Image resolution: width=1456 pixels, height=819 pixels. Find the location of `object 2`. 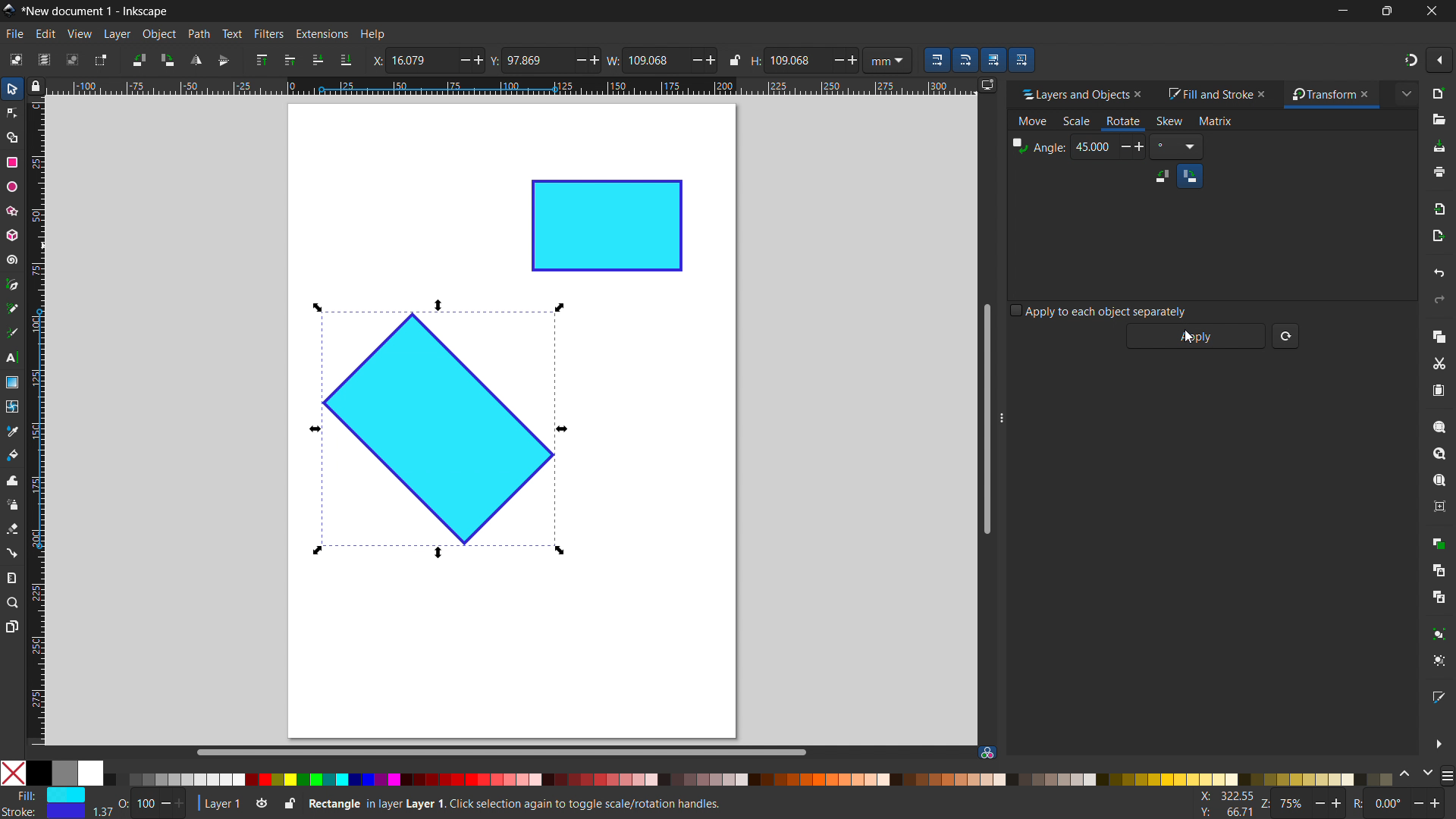

object 2 is located at coordinates (607, 226).